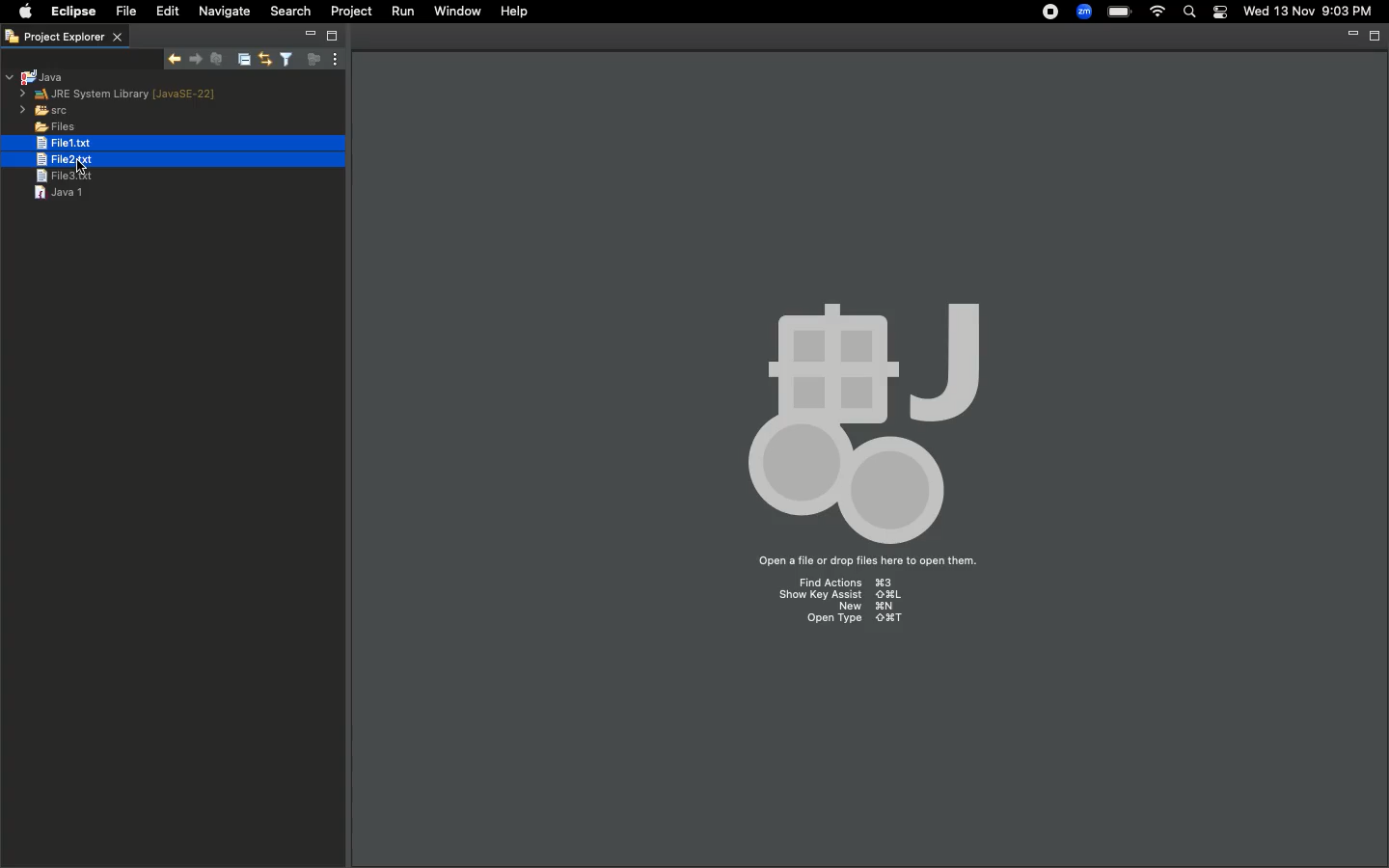 Image resolution: width=1389 pixels, height=868 pixels. I want to click on Search, so click(291, 11).